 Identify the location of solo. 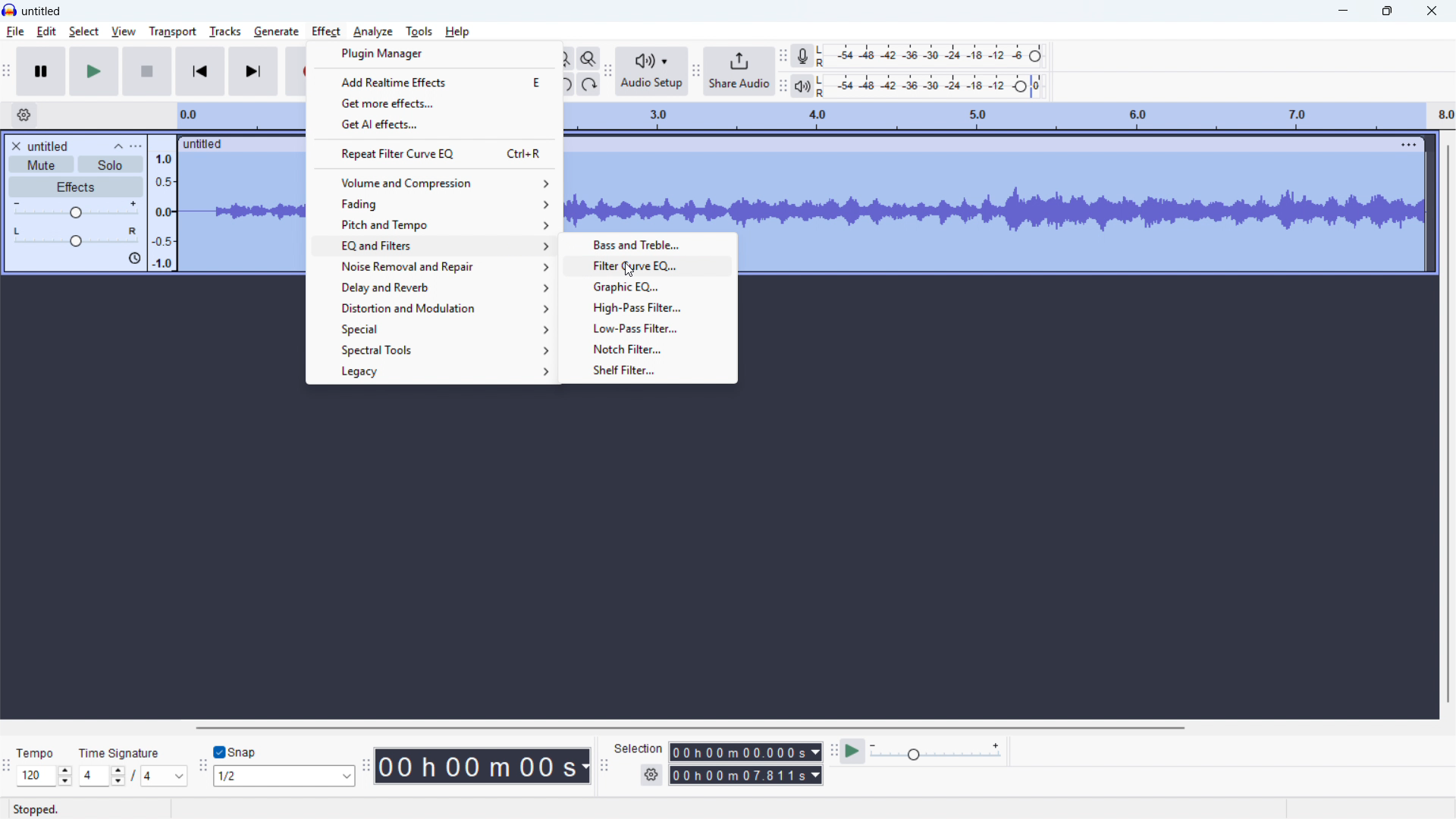
(111, 165).